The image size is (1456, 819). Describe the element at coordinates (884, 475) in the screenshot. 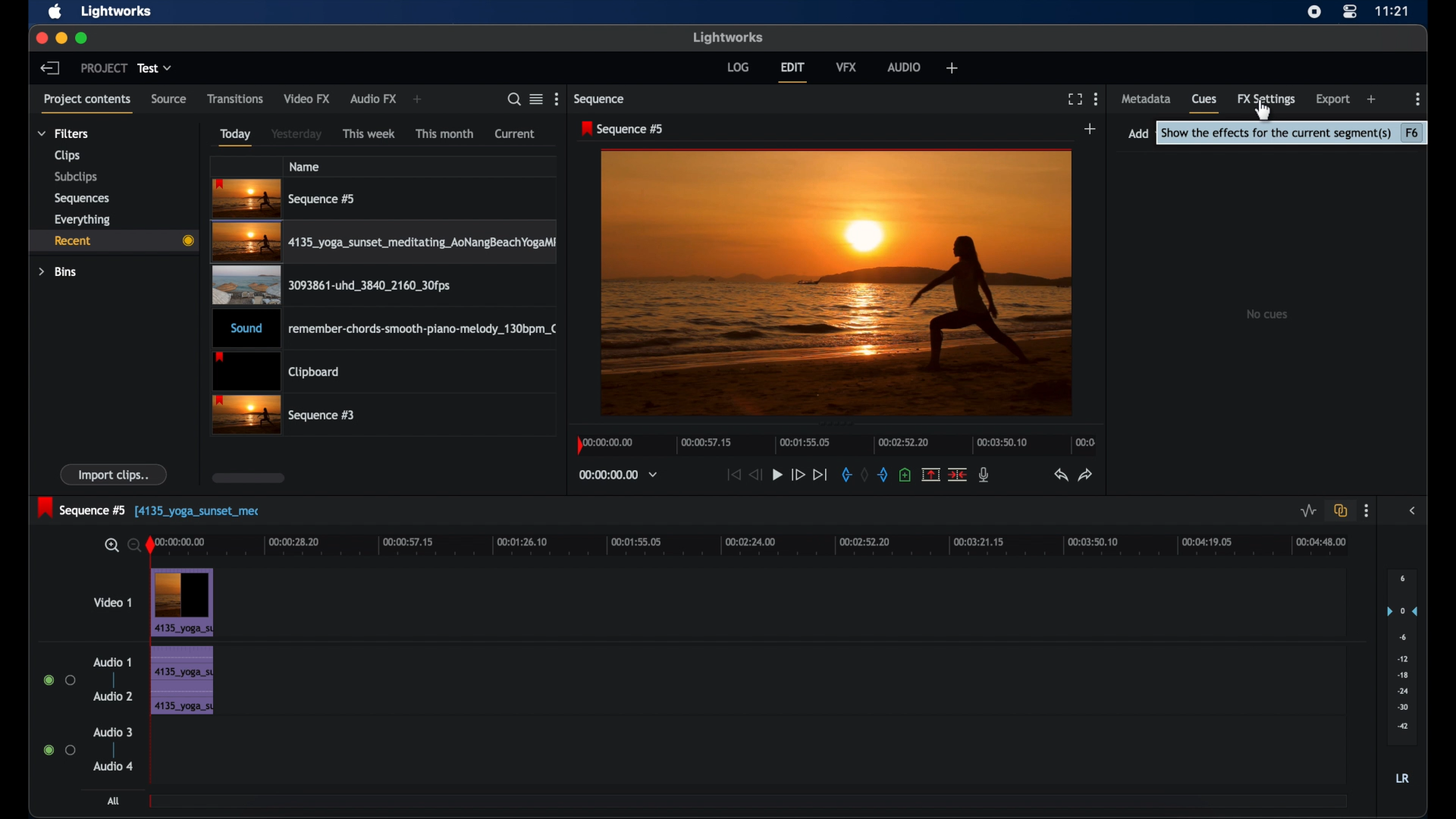

I see `out mark` at that location.